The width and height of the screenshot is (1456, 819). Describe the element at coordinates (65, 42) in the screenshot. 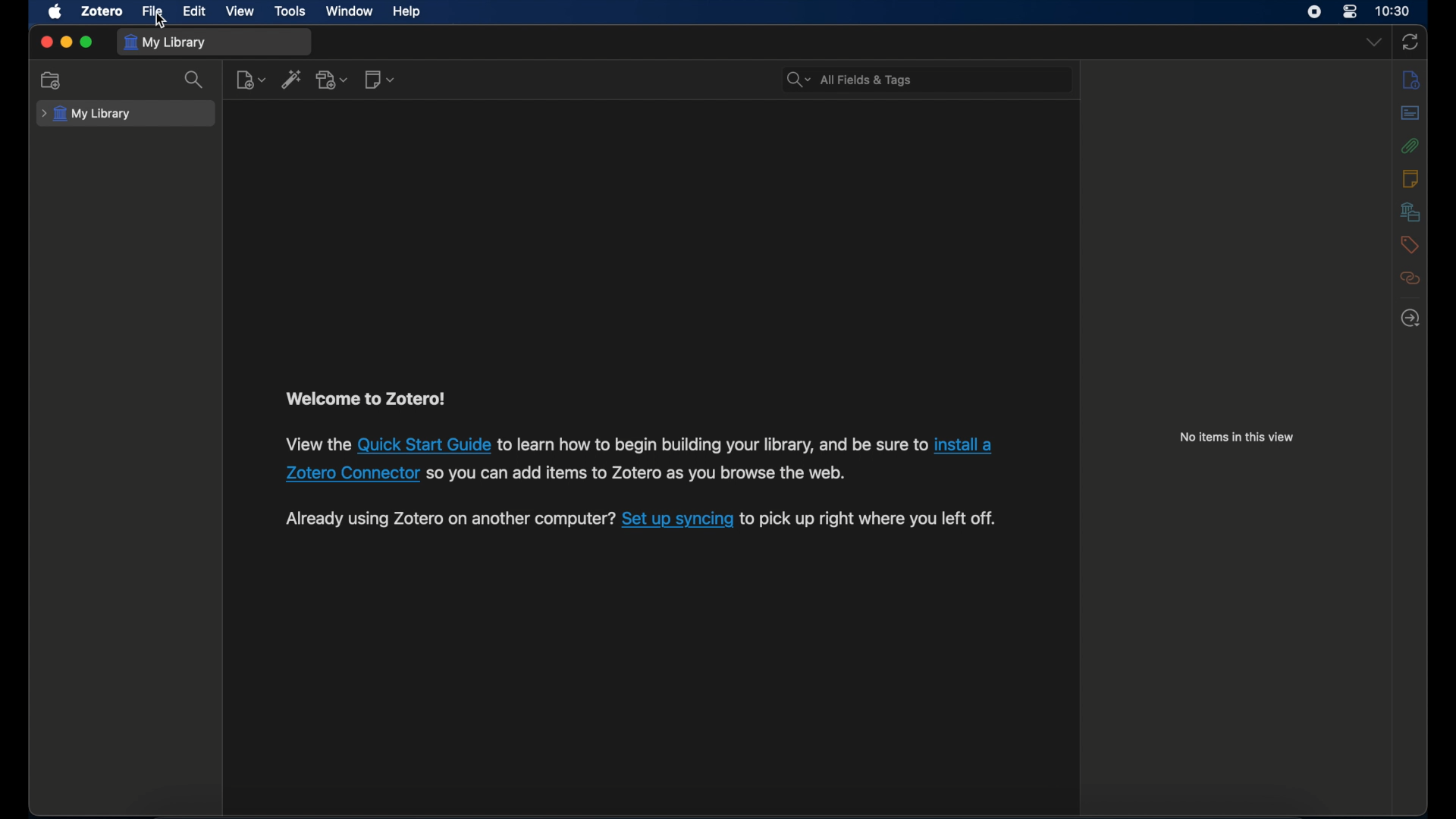

I see `minimize` at that location.